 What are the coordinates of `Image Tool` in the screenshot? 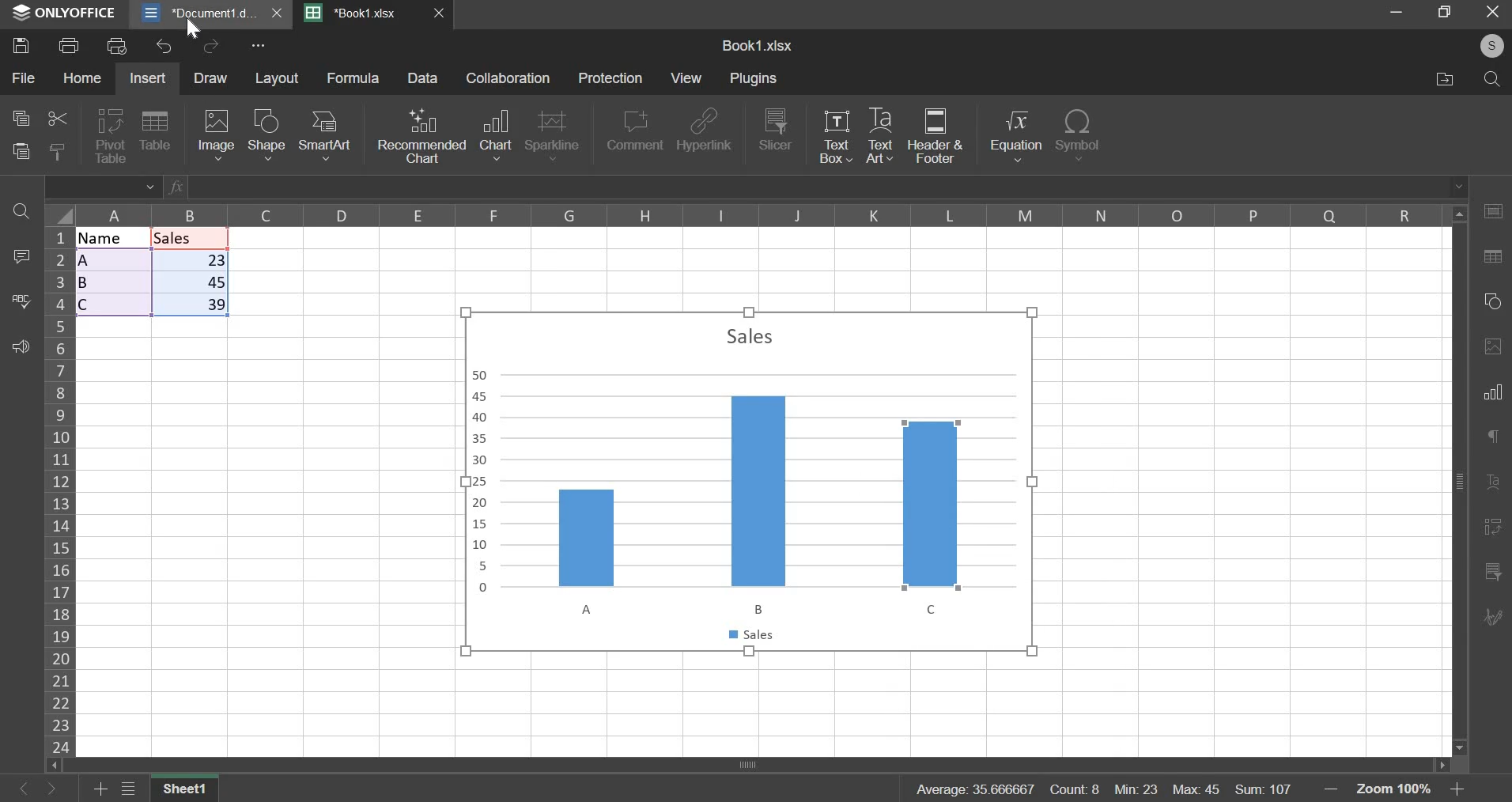 It's located at (1492, 346).